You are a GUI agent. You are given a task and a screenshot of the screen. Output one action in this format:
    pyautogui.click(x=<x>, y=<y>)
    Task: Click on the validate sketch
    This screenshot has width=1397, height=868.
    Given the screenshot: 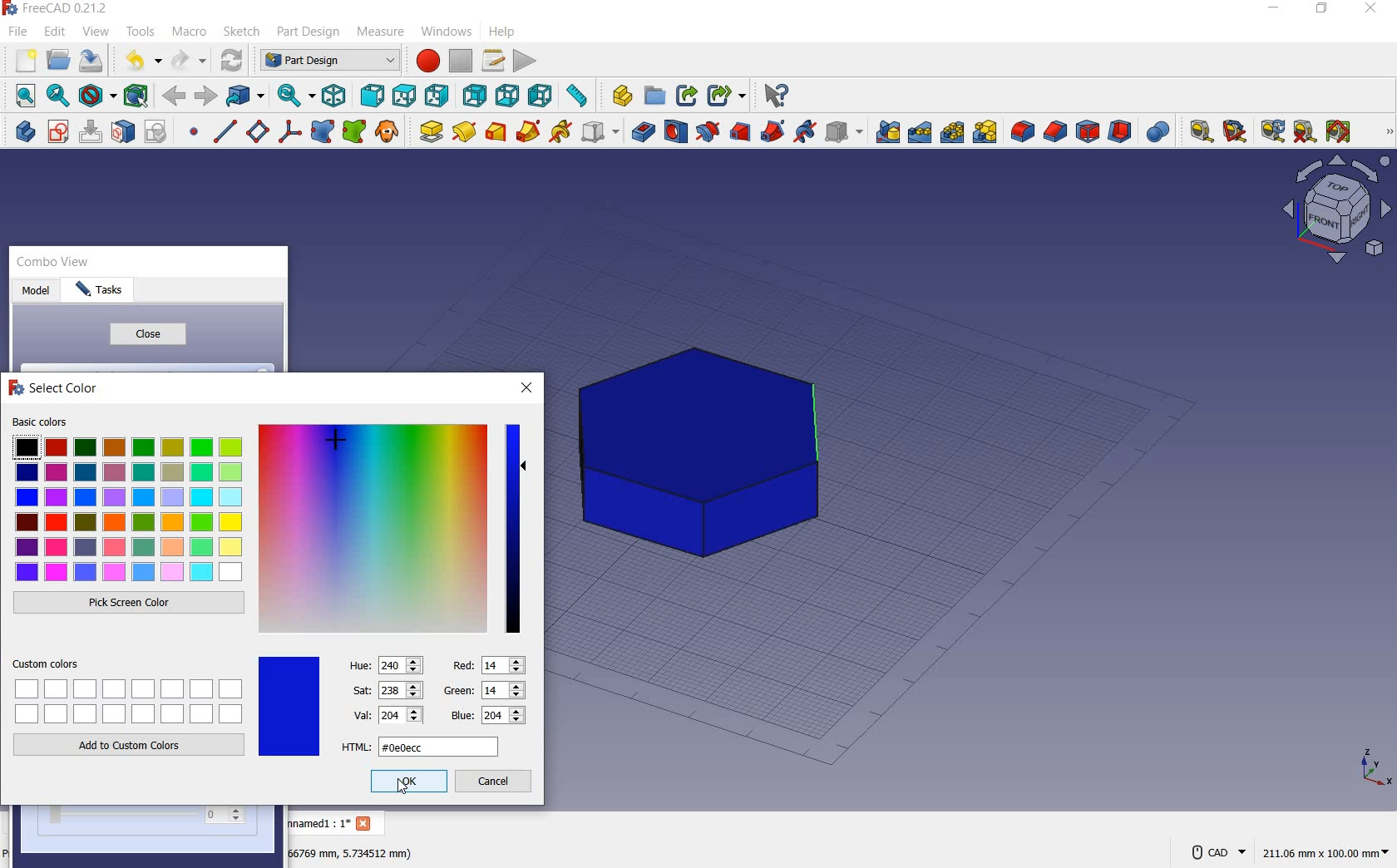 What is the action you would take?
    pyautogui.click(x=159, y=131)
    